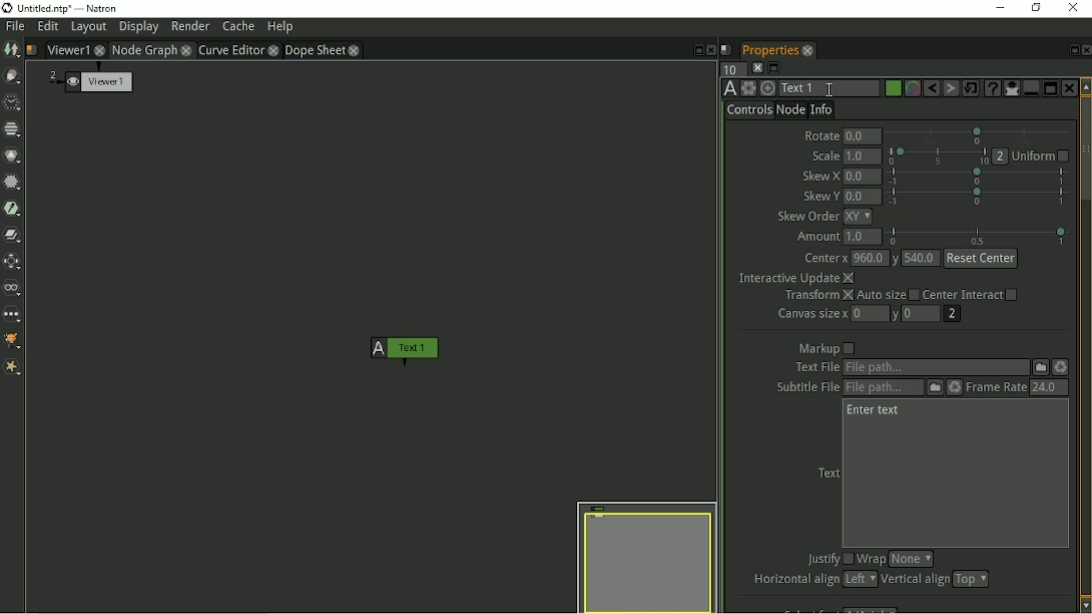 The width and height of the screenshot is (1092, 614). What do you see at coordinates (98, 81) in the screenshot?
I see `Viewer 1` at bounding box center [98, 81].